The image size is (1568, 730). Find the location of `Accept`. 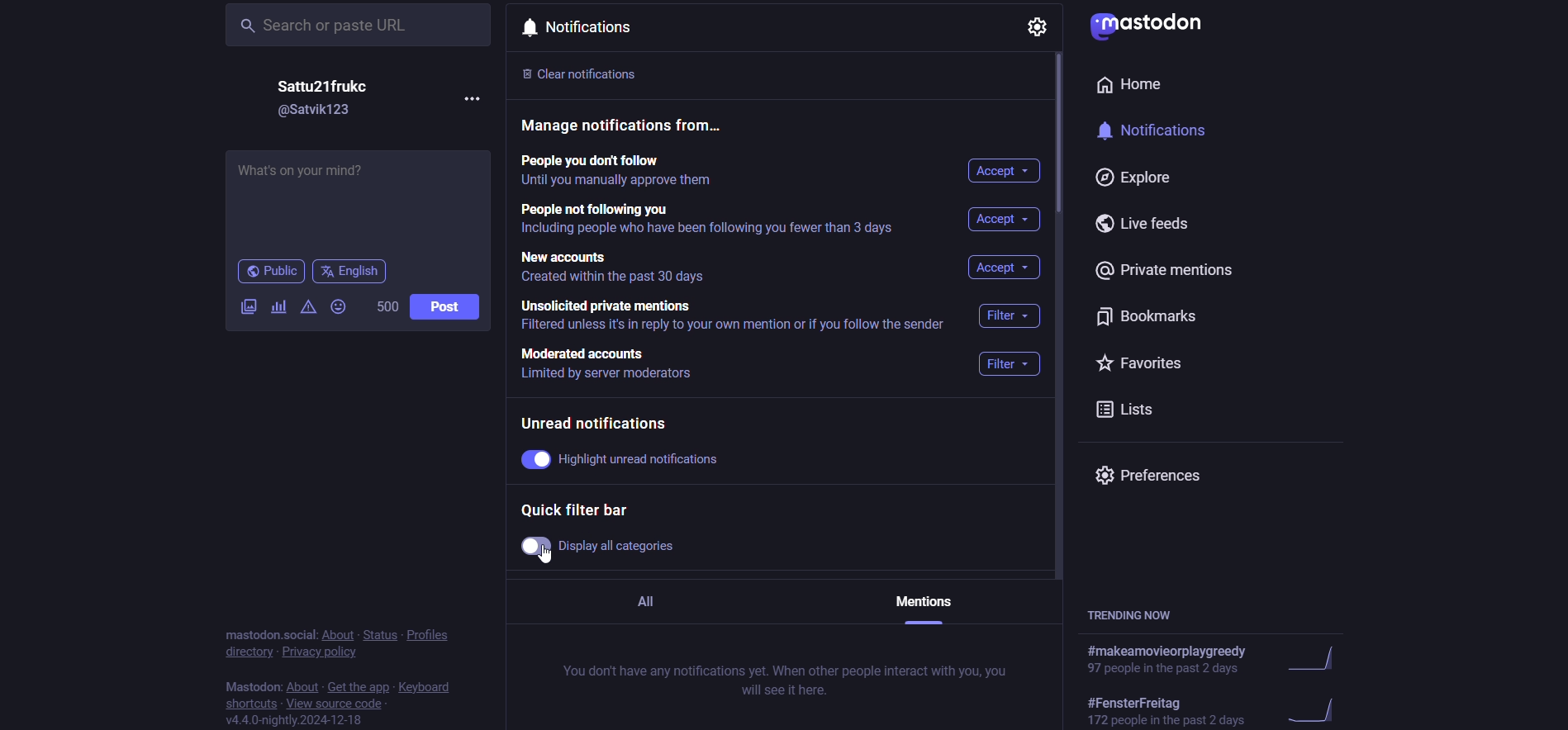

Accept is located at coordinates (1005, 269).